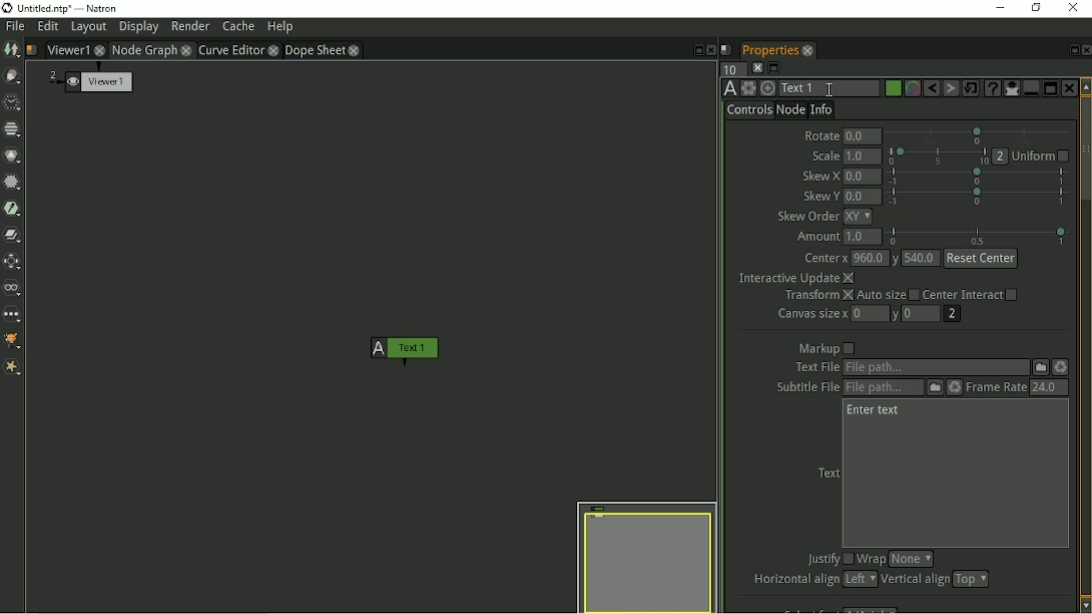 This screenshot has height=614, width=1092. Describe the element at coordinates (828, 559) in the screenshot. I see `Justify` at that location.